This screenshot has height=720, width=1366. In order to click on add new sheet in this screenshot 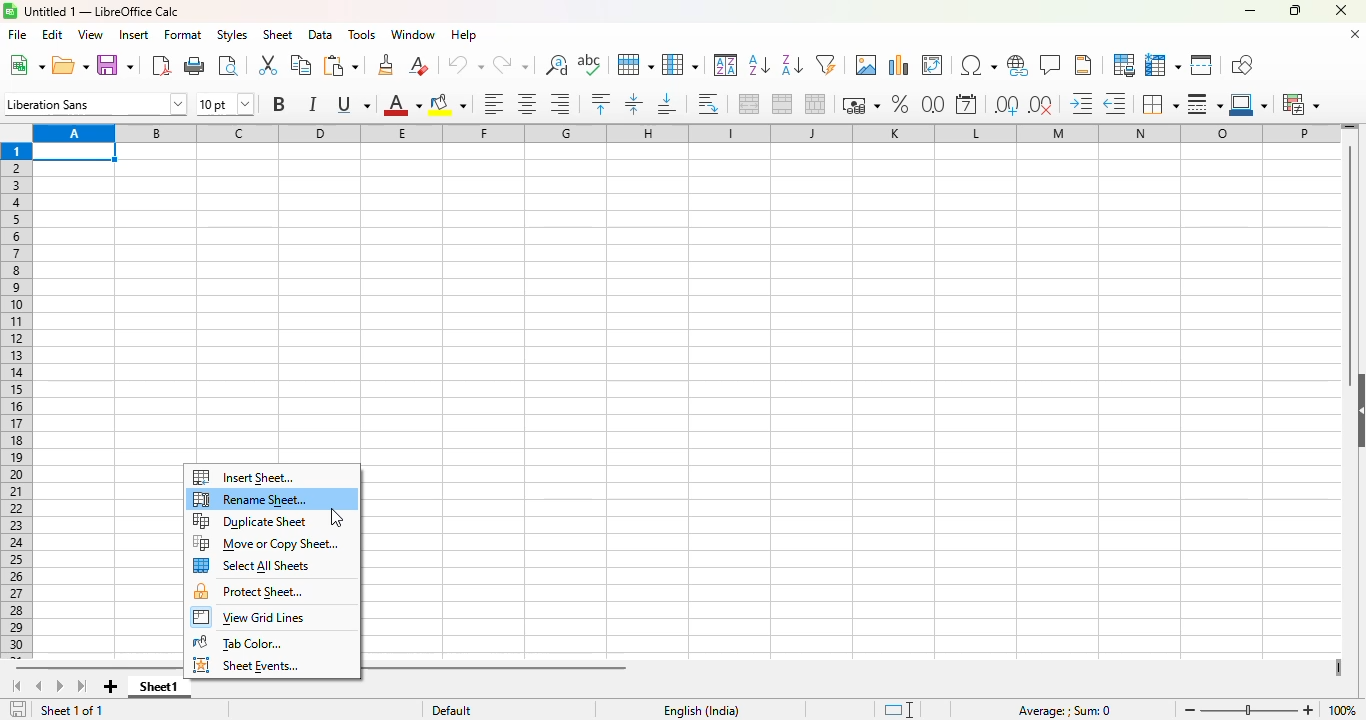, I will do `click(111, 687)`.